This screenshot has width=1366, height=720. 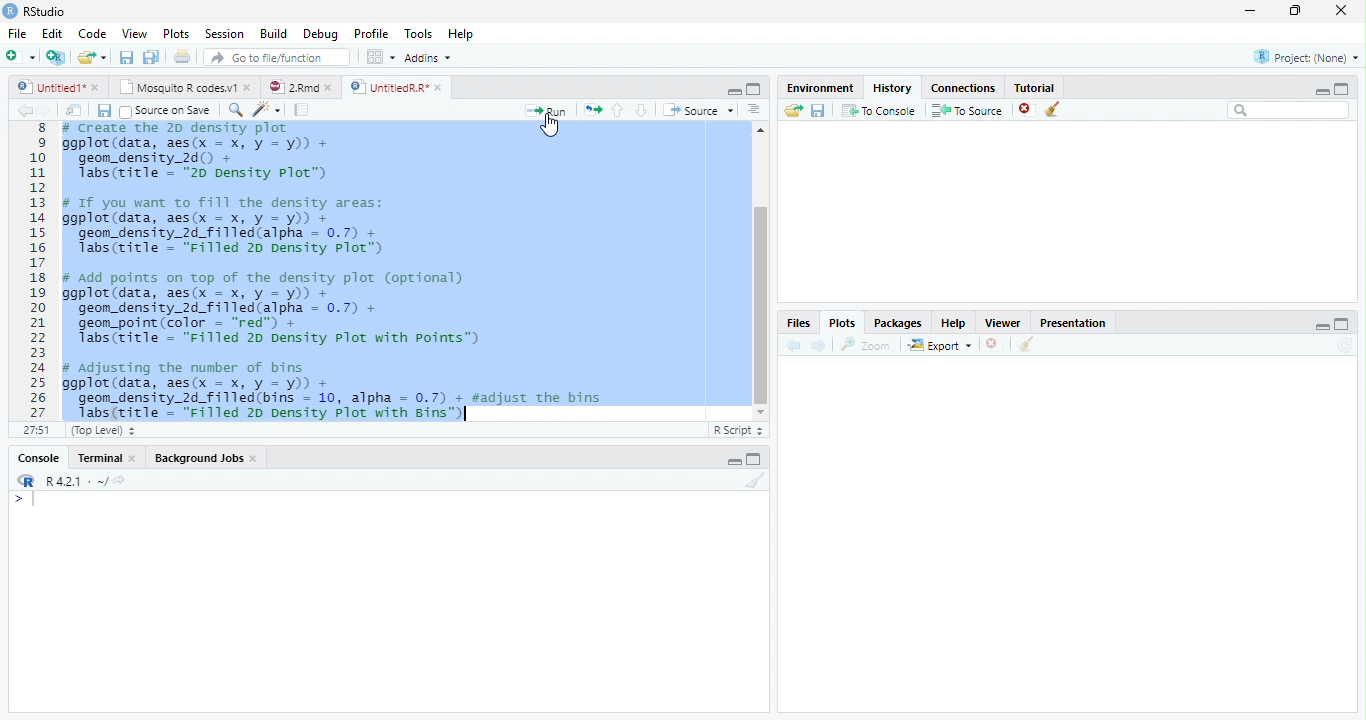 What do you see at coordinates (1319, 91) in the screenshot?
I see `minimize` at bounding box center [1319, 91].